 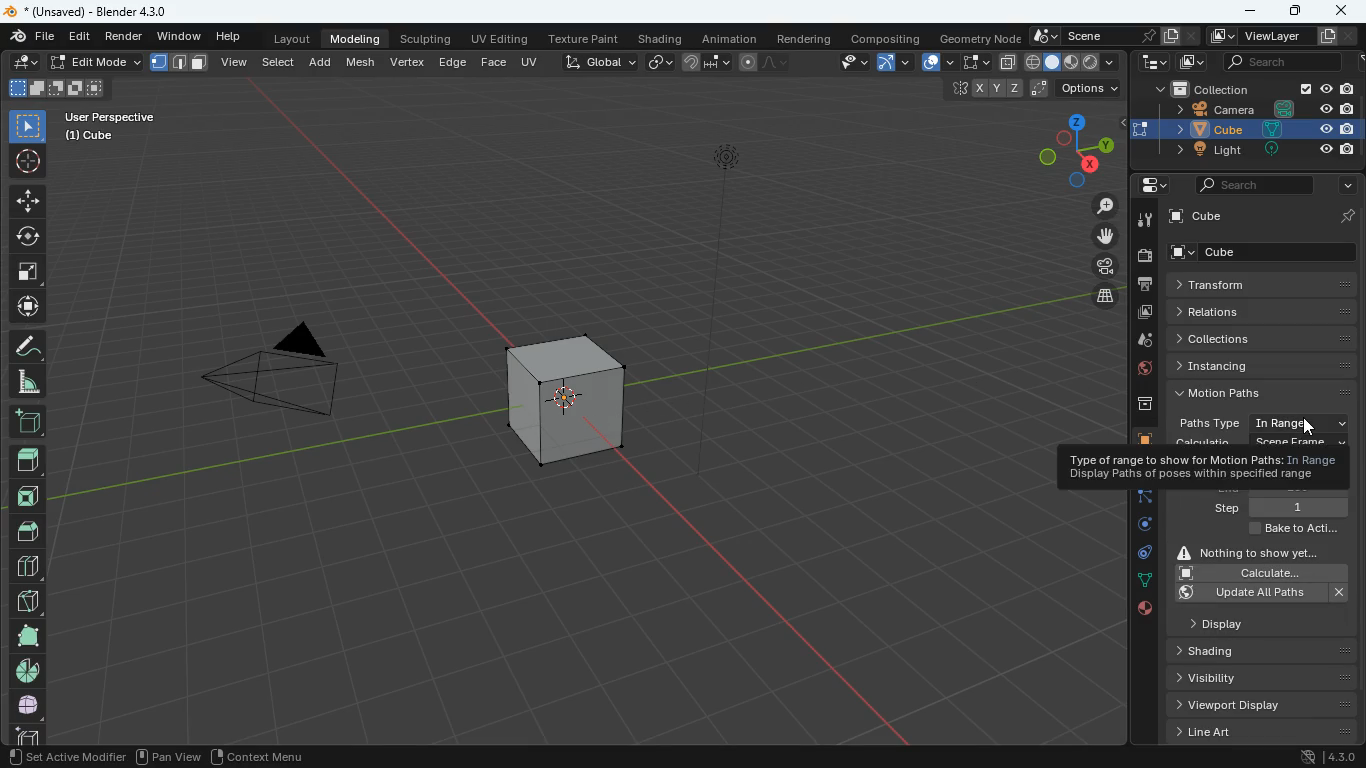 What do you see at coordinates (1343, 13) in the screenshot?
I see `close` at bounding box center [1343, 13].